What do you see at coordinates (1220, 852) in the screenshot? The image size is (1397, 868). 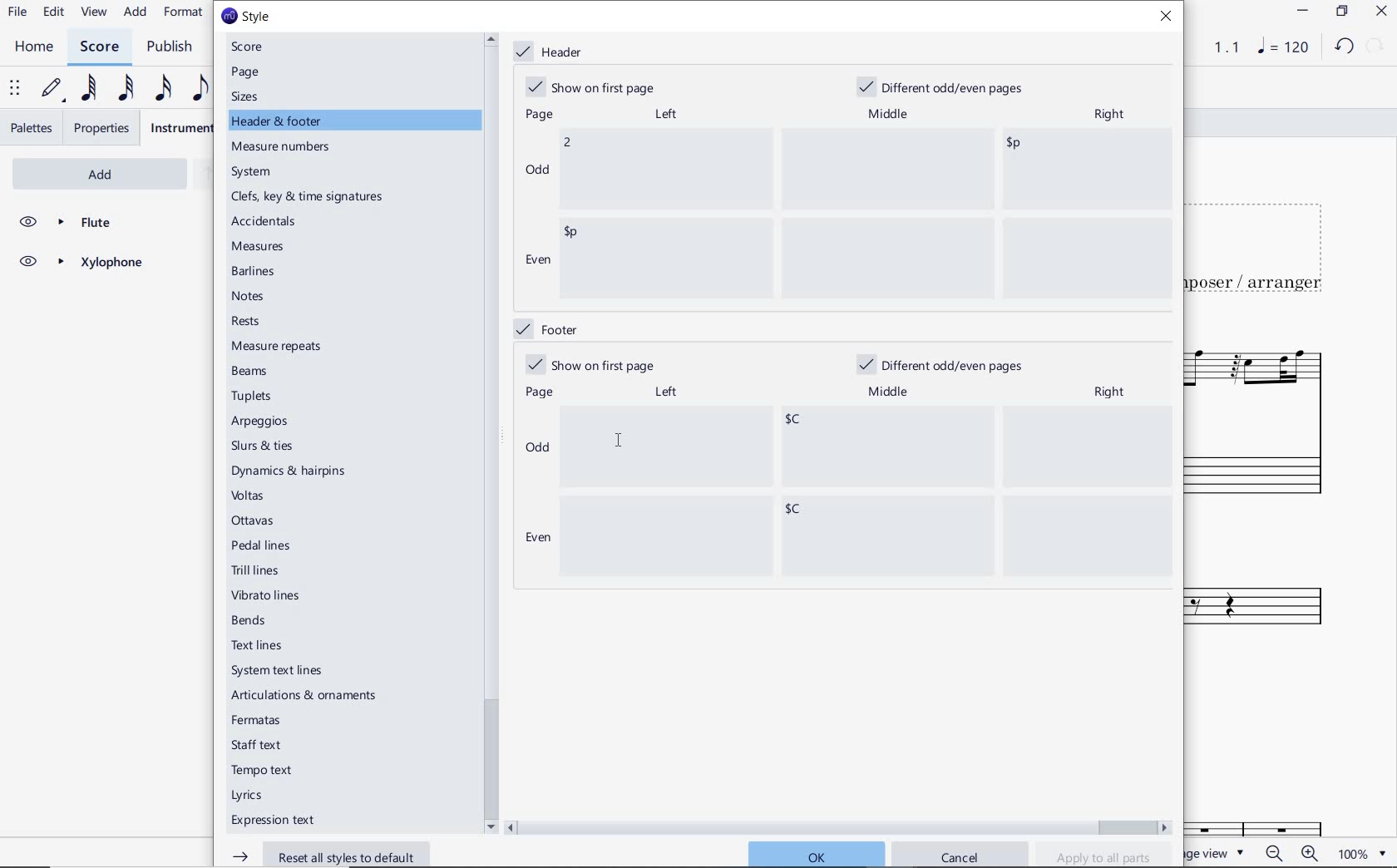 I see `PAGE VIEW` at bounding box center [1220, 852].